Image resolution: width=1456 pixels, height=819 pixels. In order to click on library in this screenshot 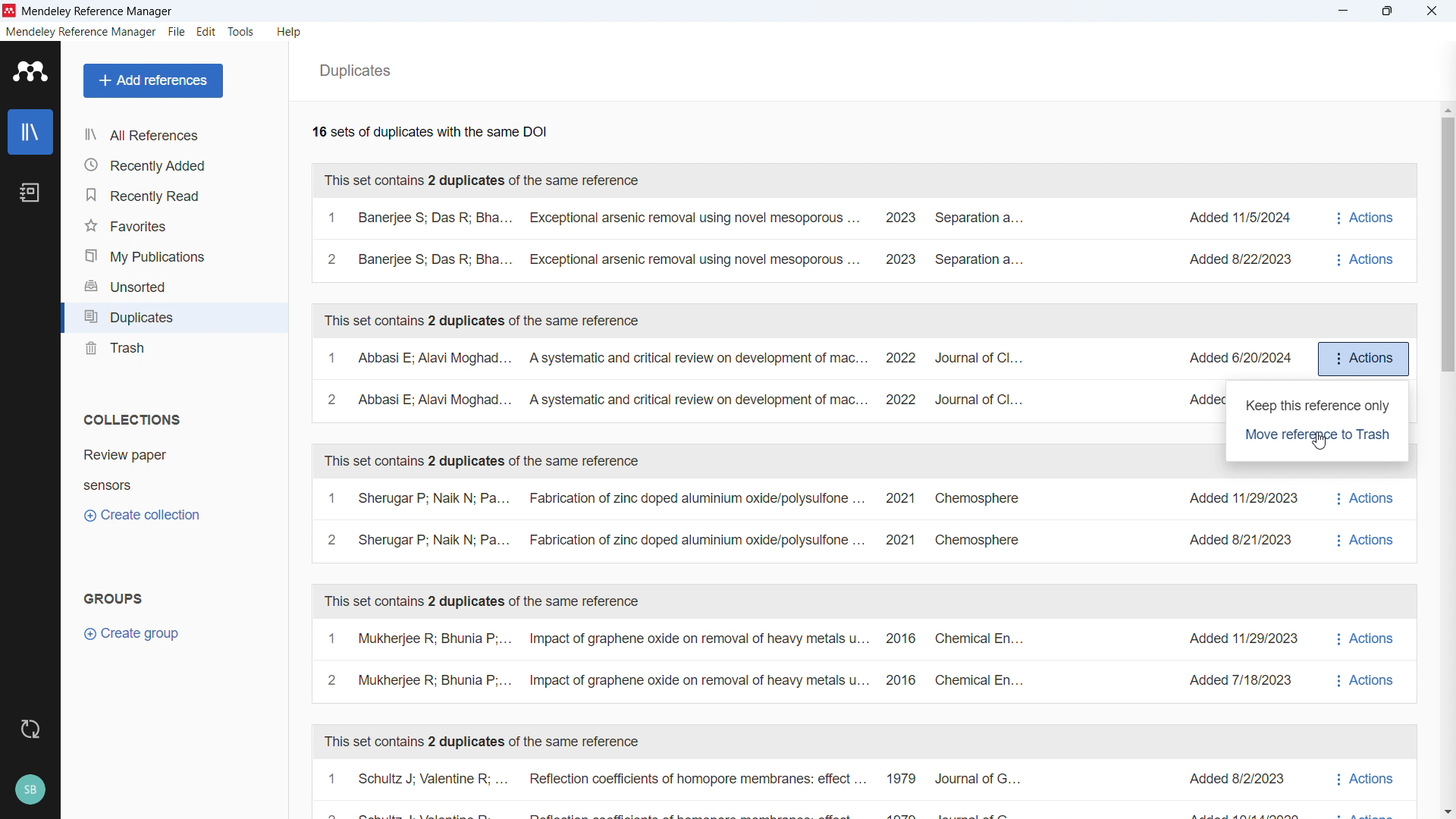, I will do `click(30, 133)`.